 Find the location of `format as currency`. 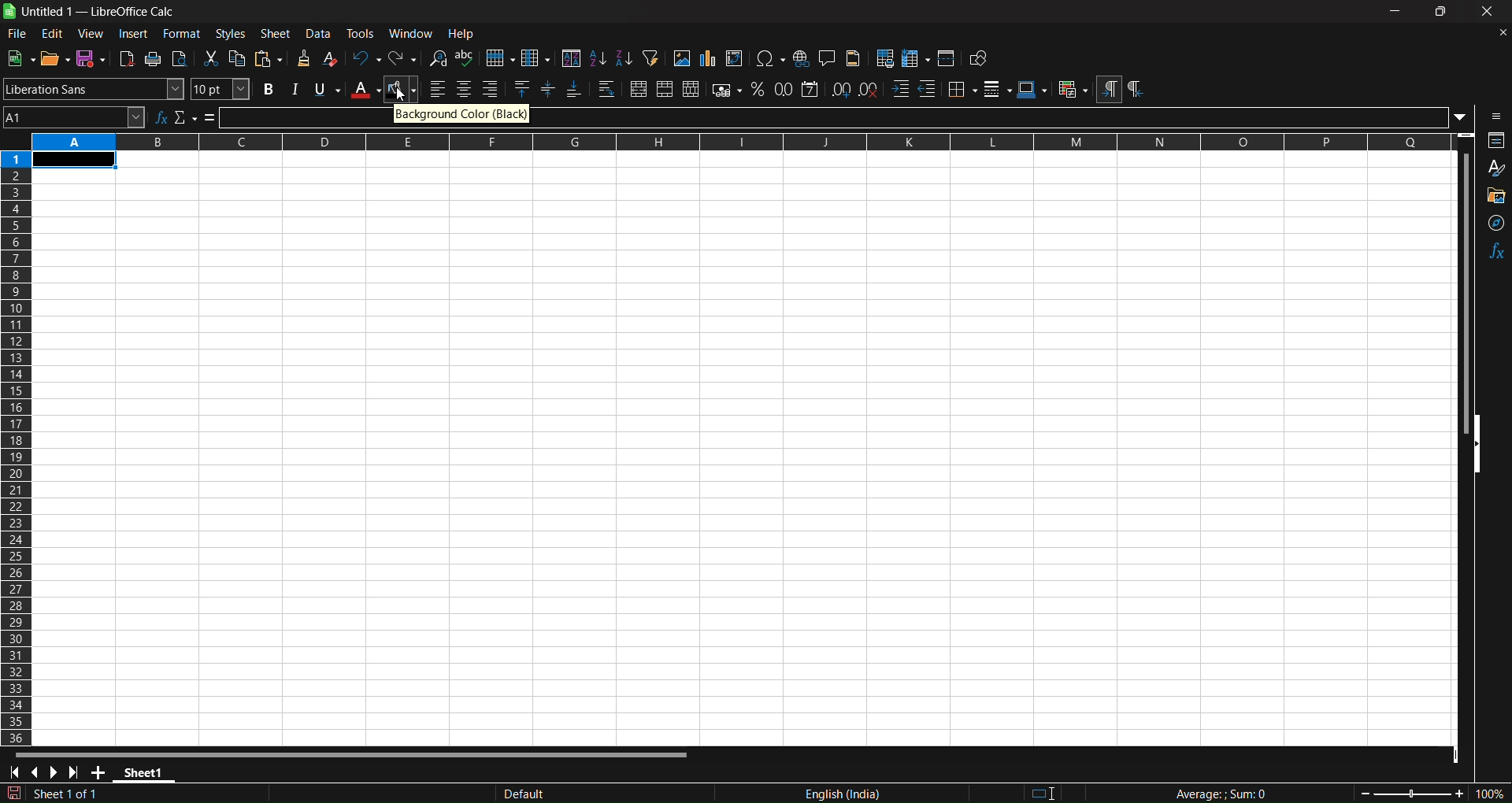

format as currency is located at coordinates (724, 91).